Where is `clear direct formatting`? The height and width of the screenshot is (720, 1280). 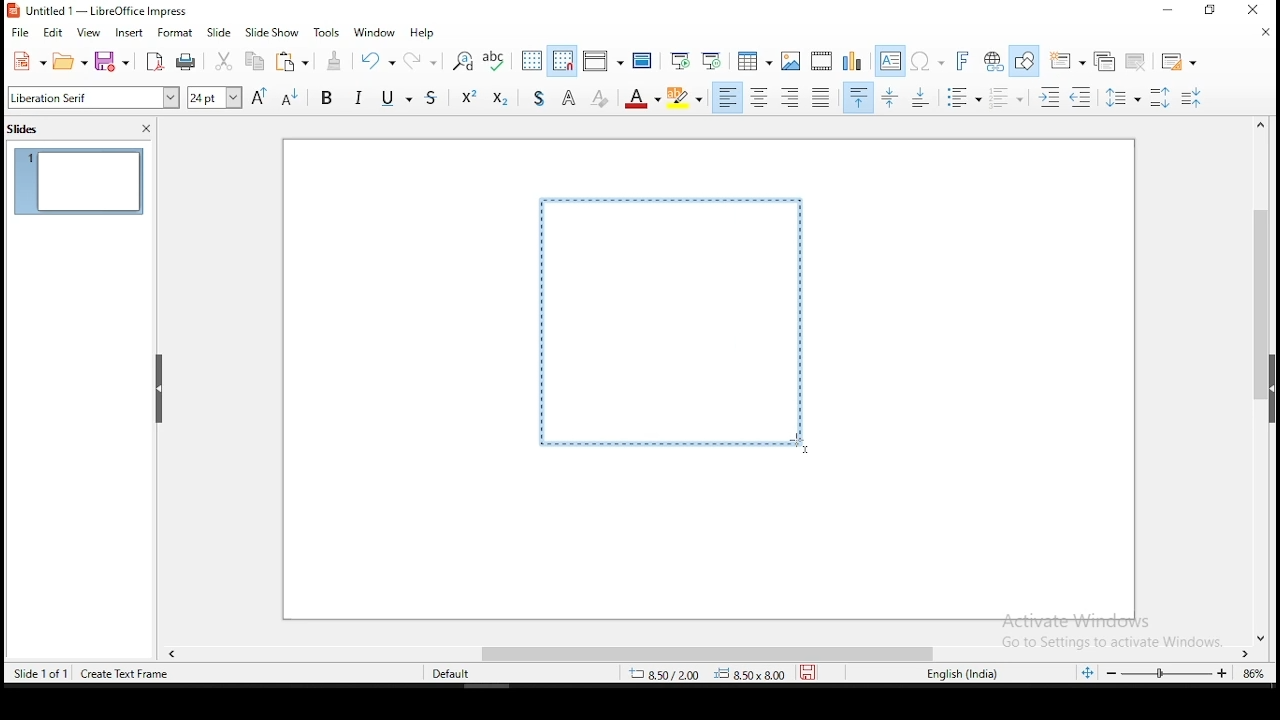 clear direct formatting is located at coordinates (599, 99).